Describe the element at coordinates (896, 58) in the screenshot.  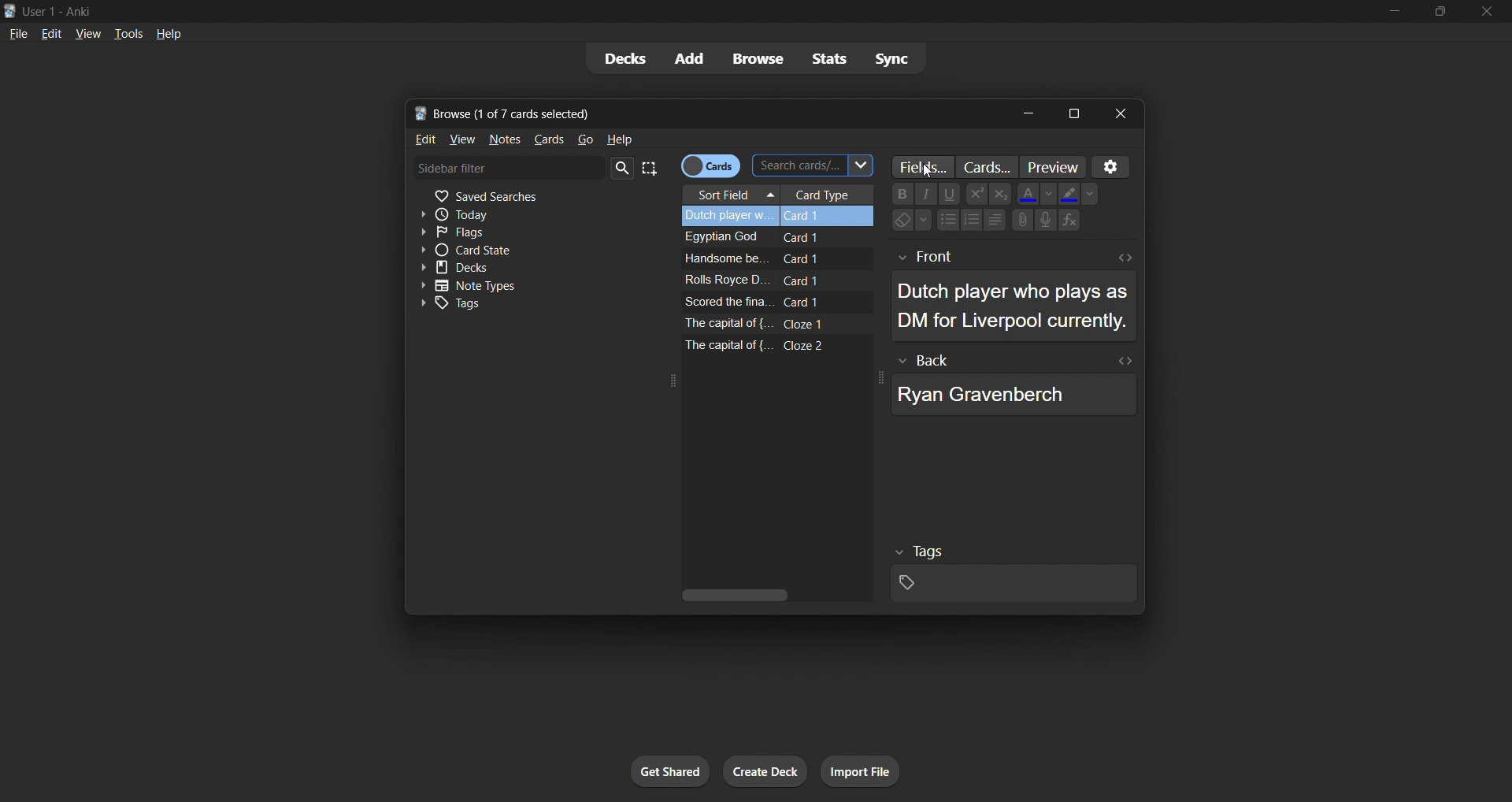
I see `sync` at that location.